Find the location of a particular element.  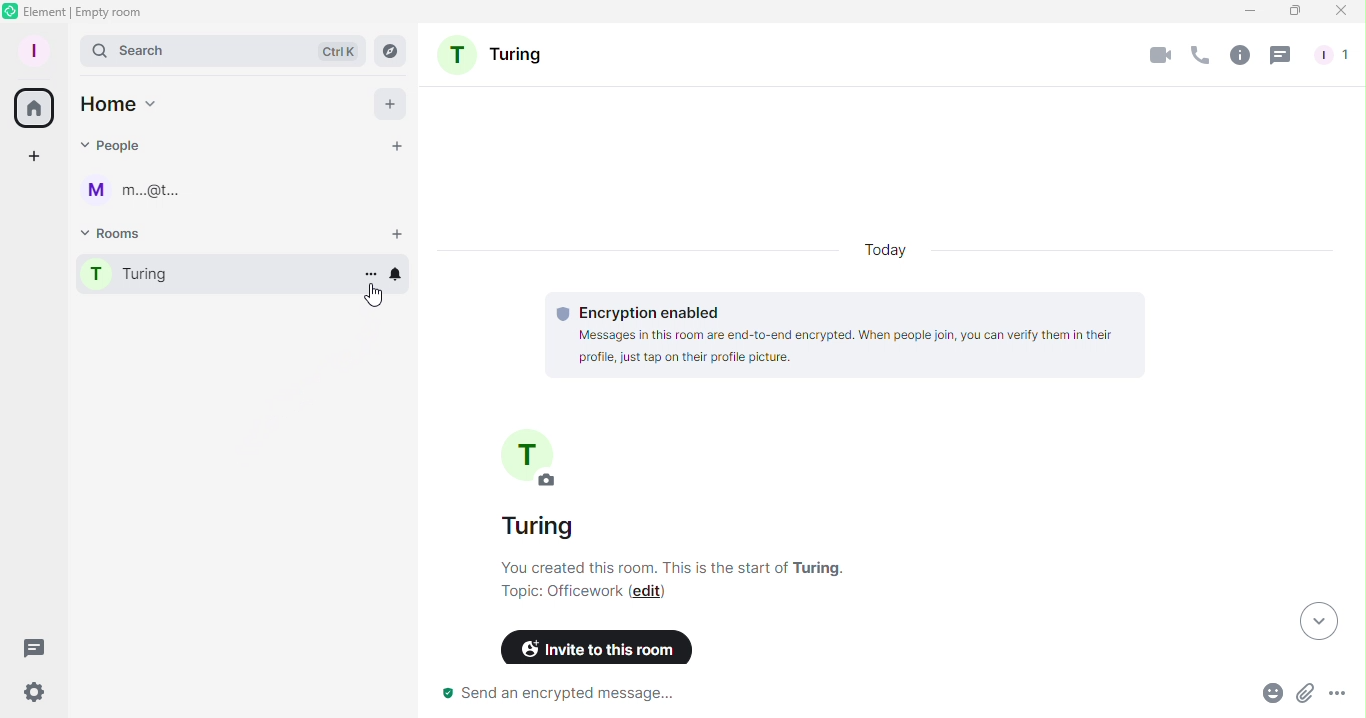

Home is located at coordinates (133, 102).